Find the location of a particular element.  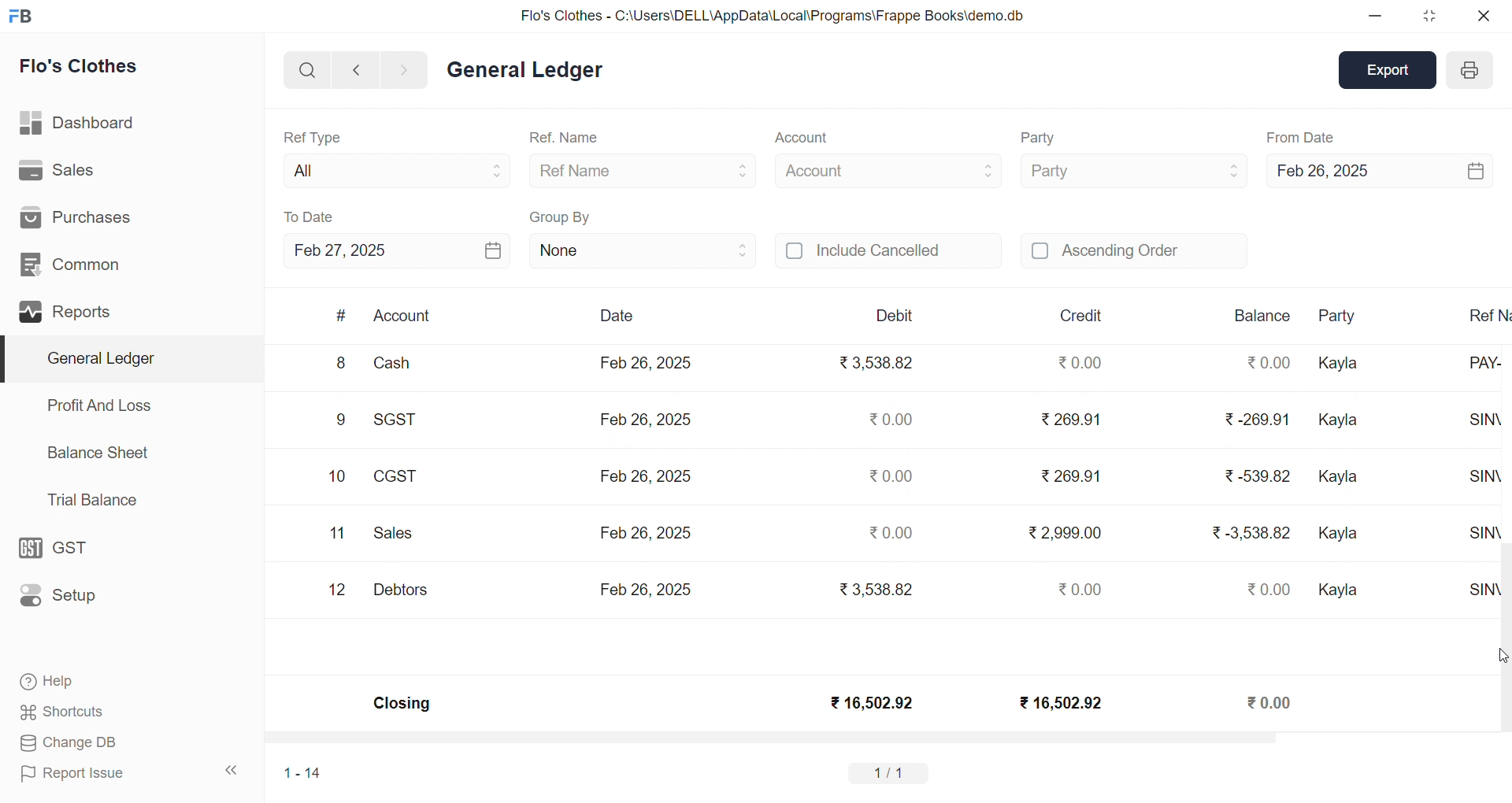

Reports is located at coordinates (68, 309).